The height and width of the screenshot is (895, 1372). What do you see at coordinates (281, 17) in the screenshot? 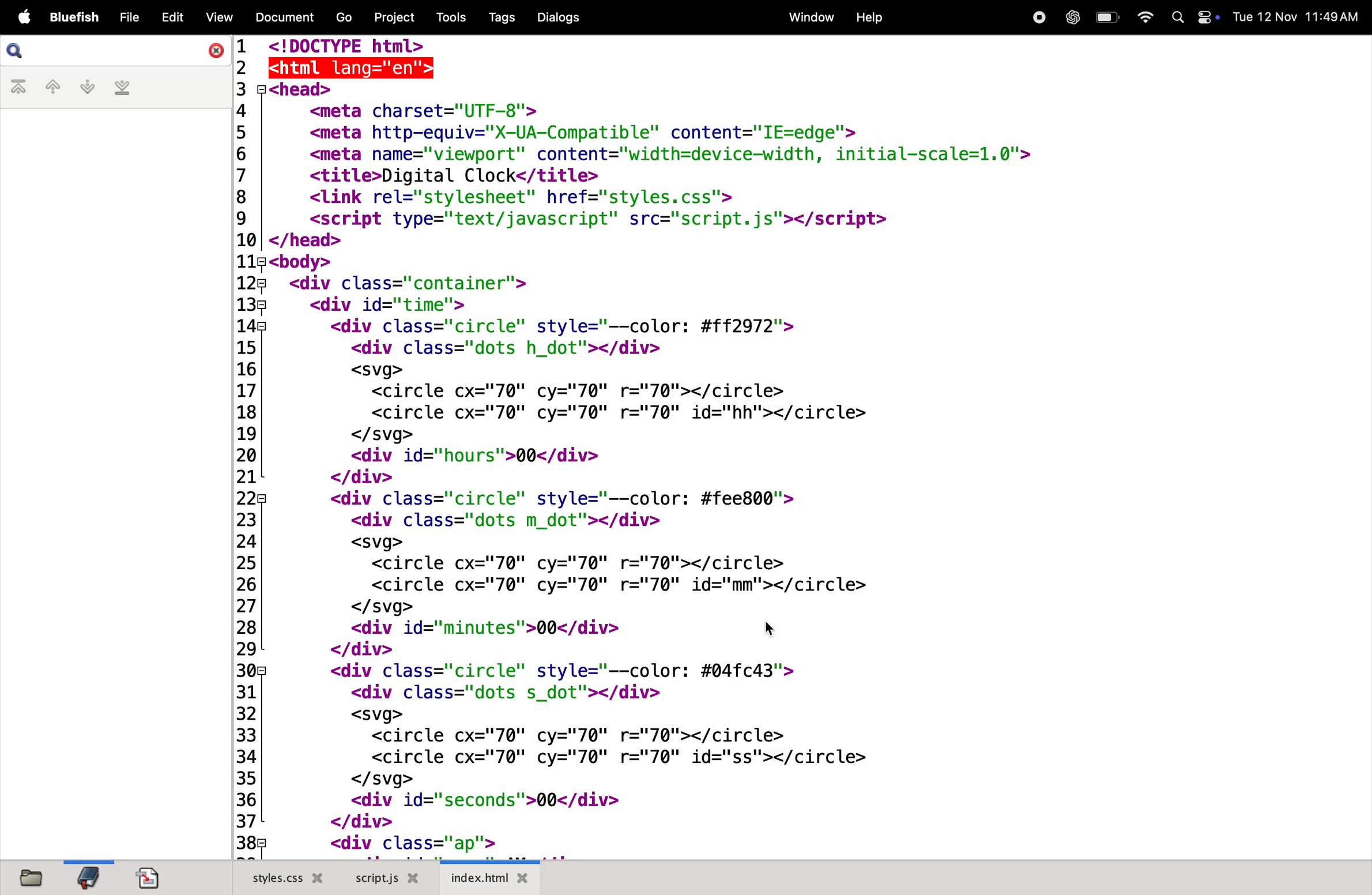
I see `documents` at bounding box center [281, 17].